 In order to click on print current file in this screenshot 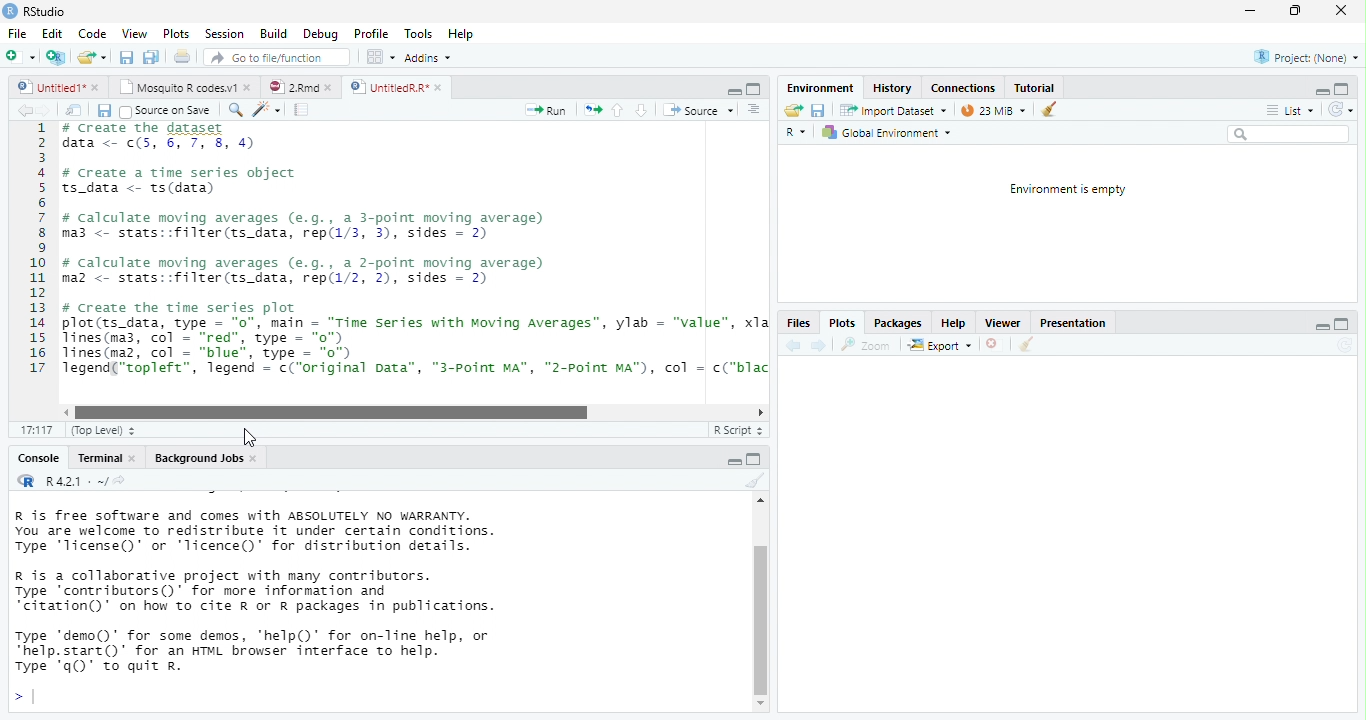, I will do `click(151, 57)`.